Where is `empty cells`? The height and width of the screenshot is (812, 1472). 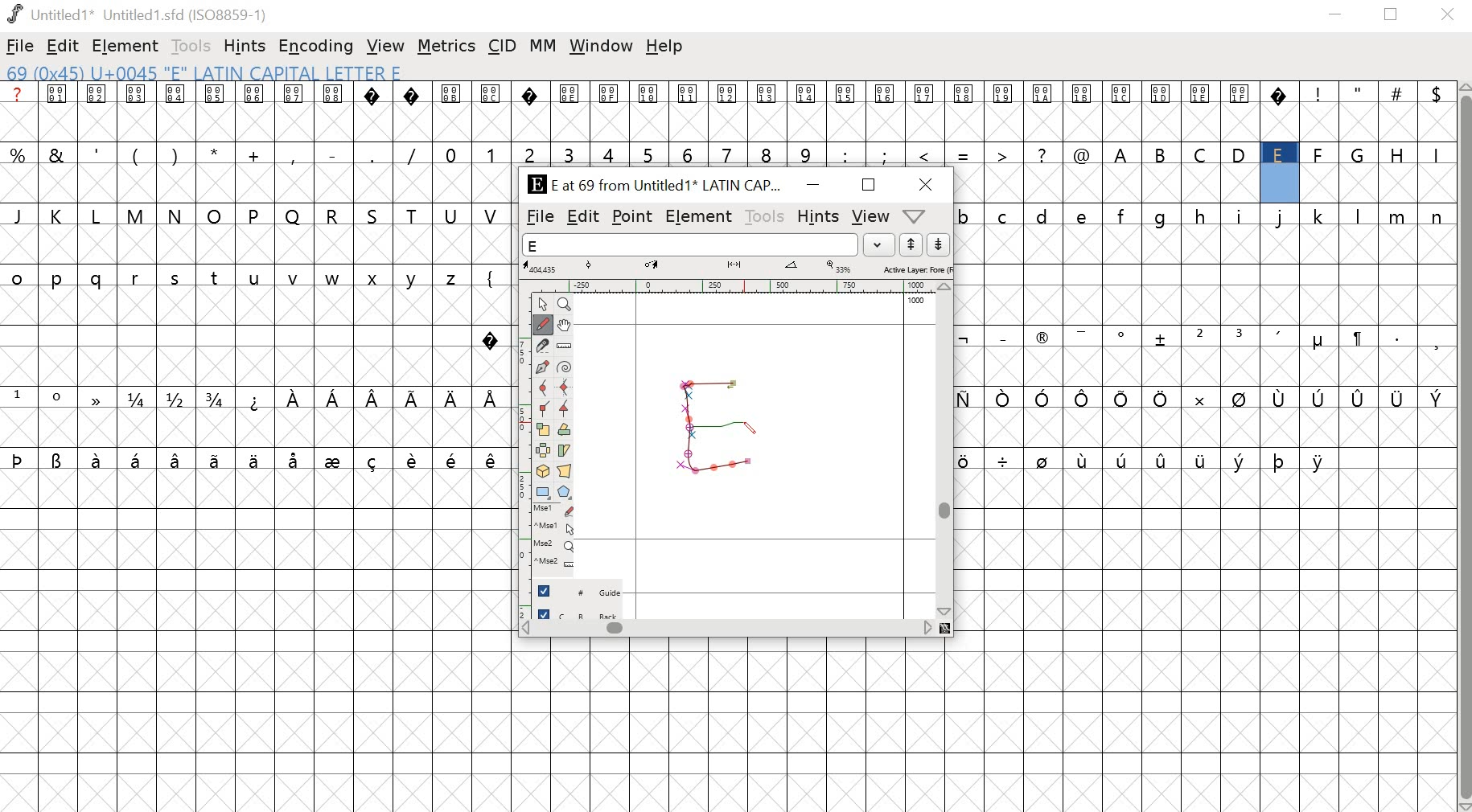 empty cells is located at coordinates (254, 640).